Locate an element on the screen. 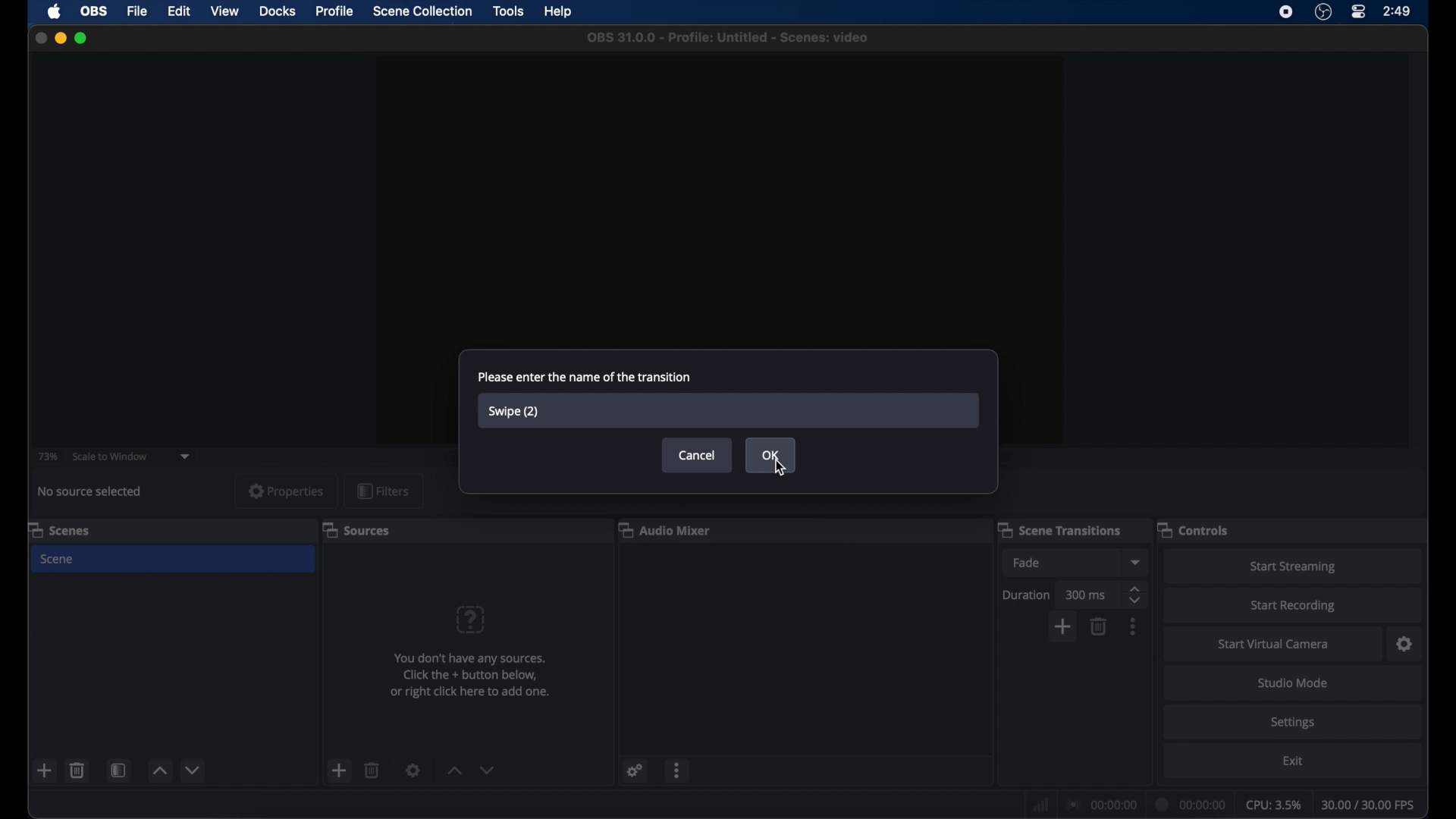  scale to window is located at coordinates (111, 457).